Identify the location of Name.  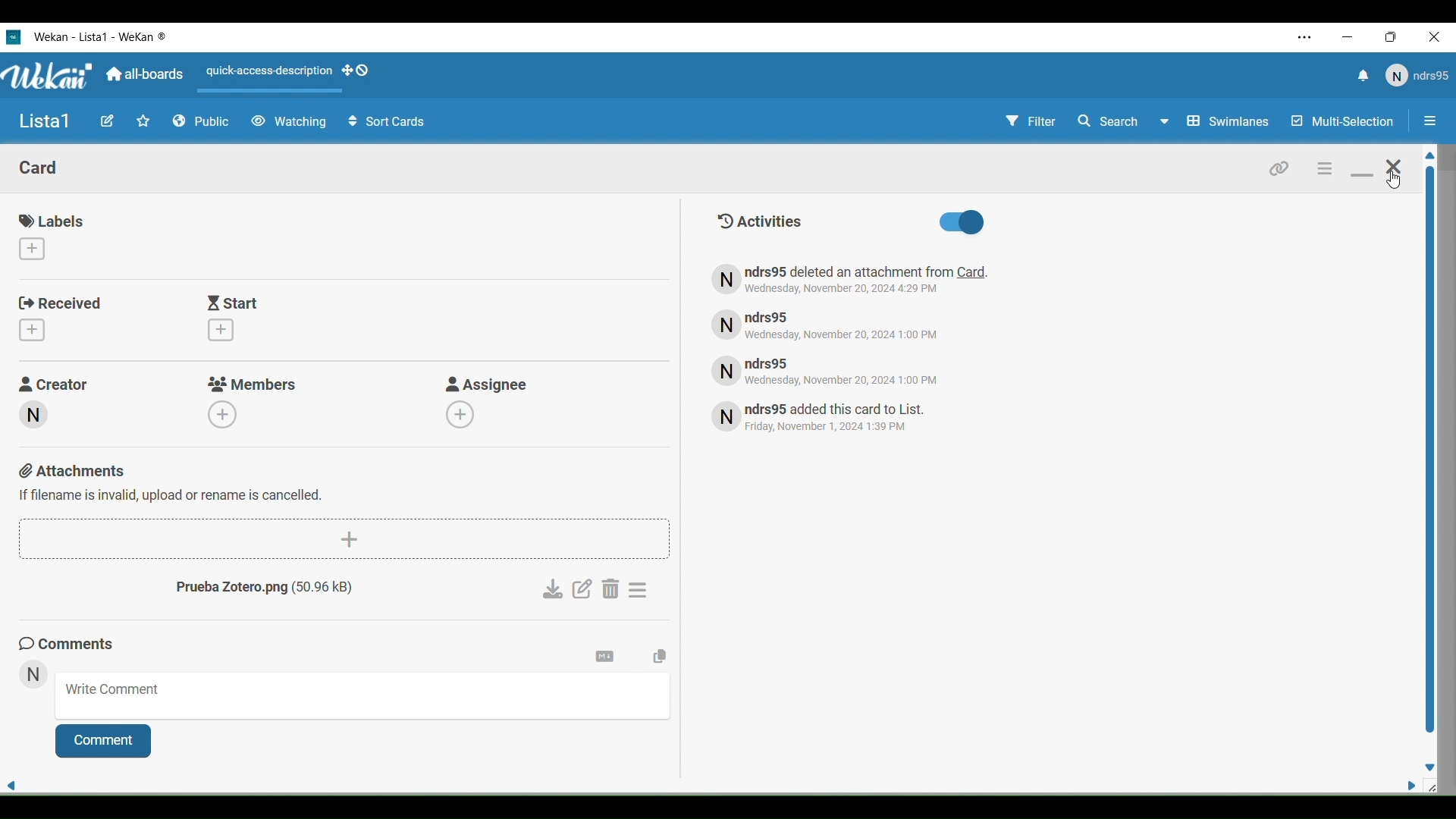
(45, 122).